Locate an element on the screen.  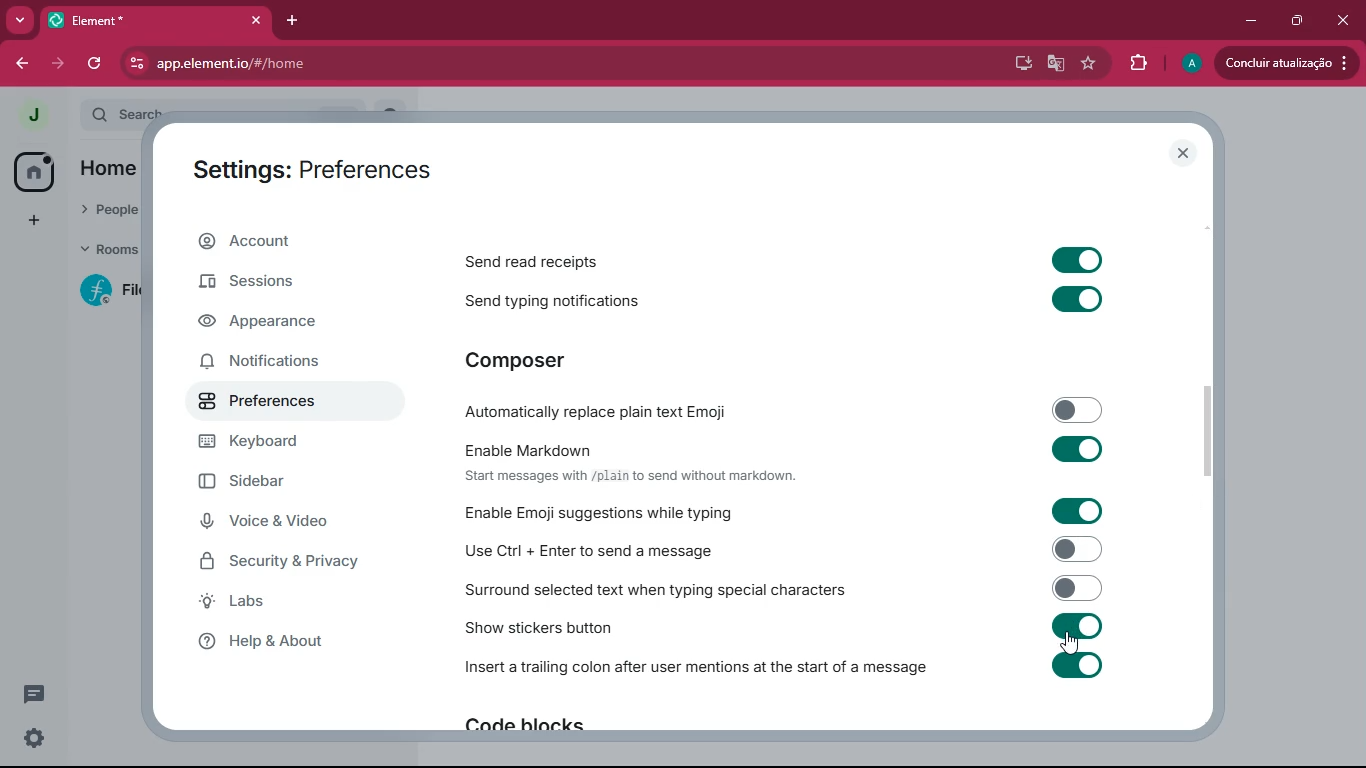
Show stickers button is located at coordinates (789, 630).